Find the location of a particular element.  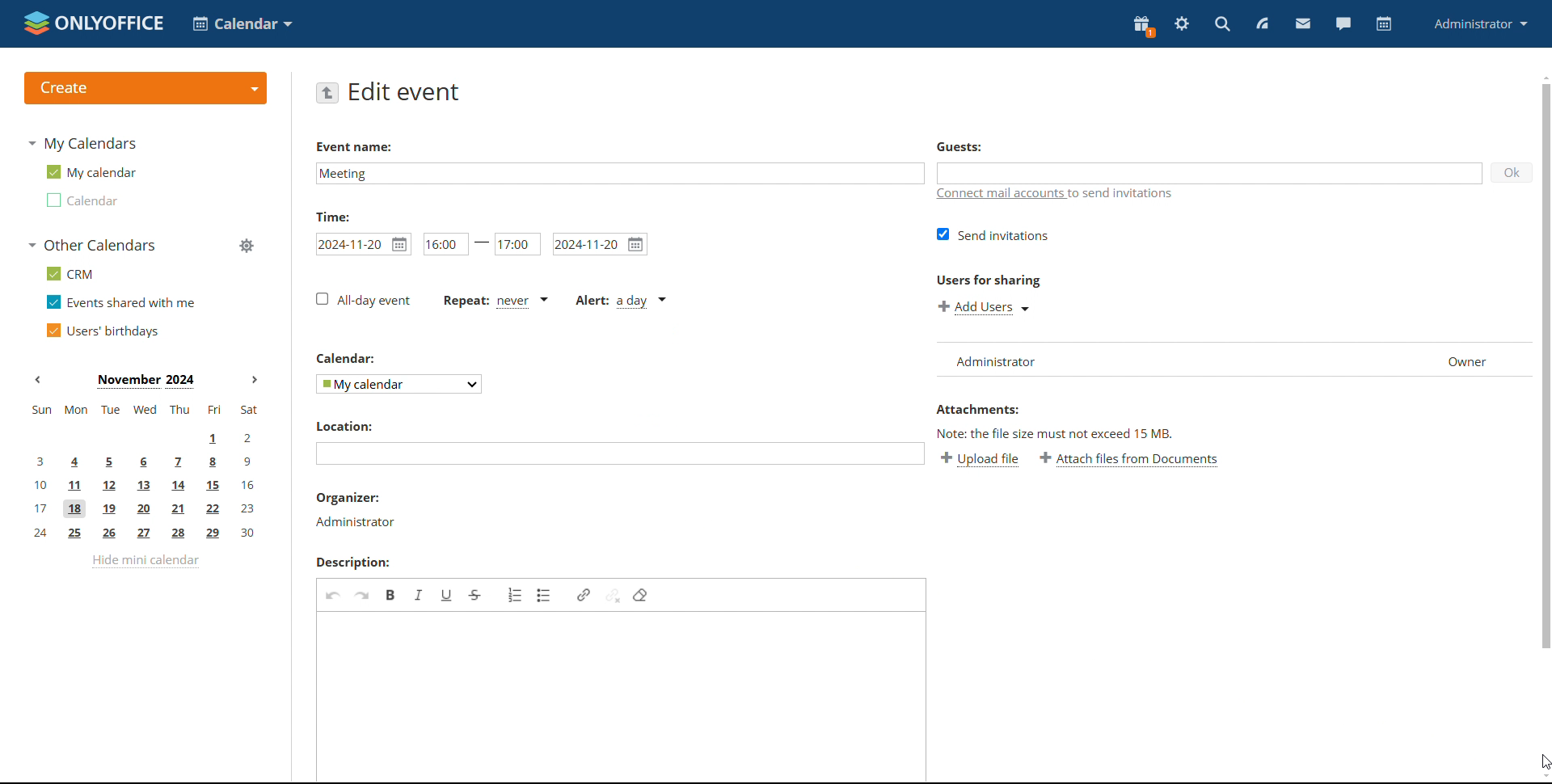

hide mini calendar is located at coordinates (145, 561).